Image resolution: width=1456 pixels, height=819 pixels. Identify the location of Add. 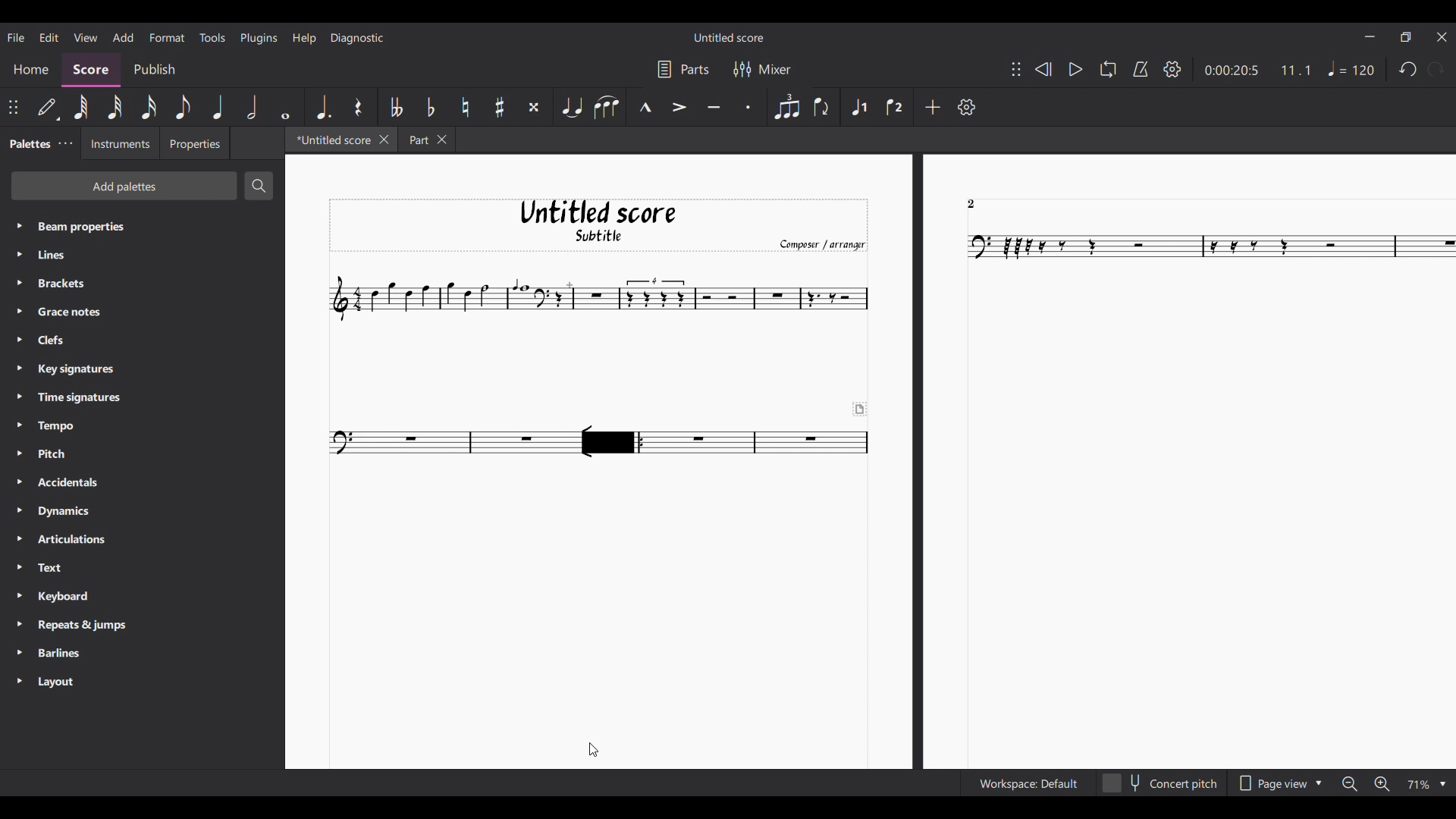
(934, 107).